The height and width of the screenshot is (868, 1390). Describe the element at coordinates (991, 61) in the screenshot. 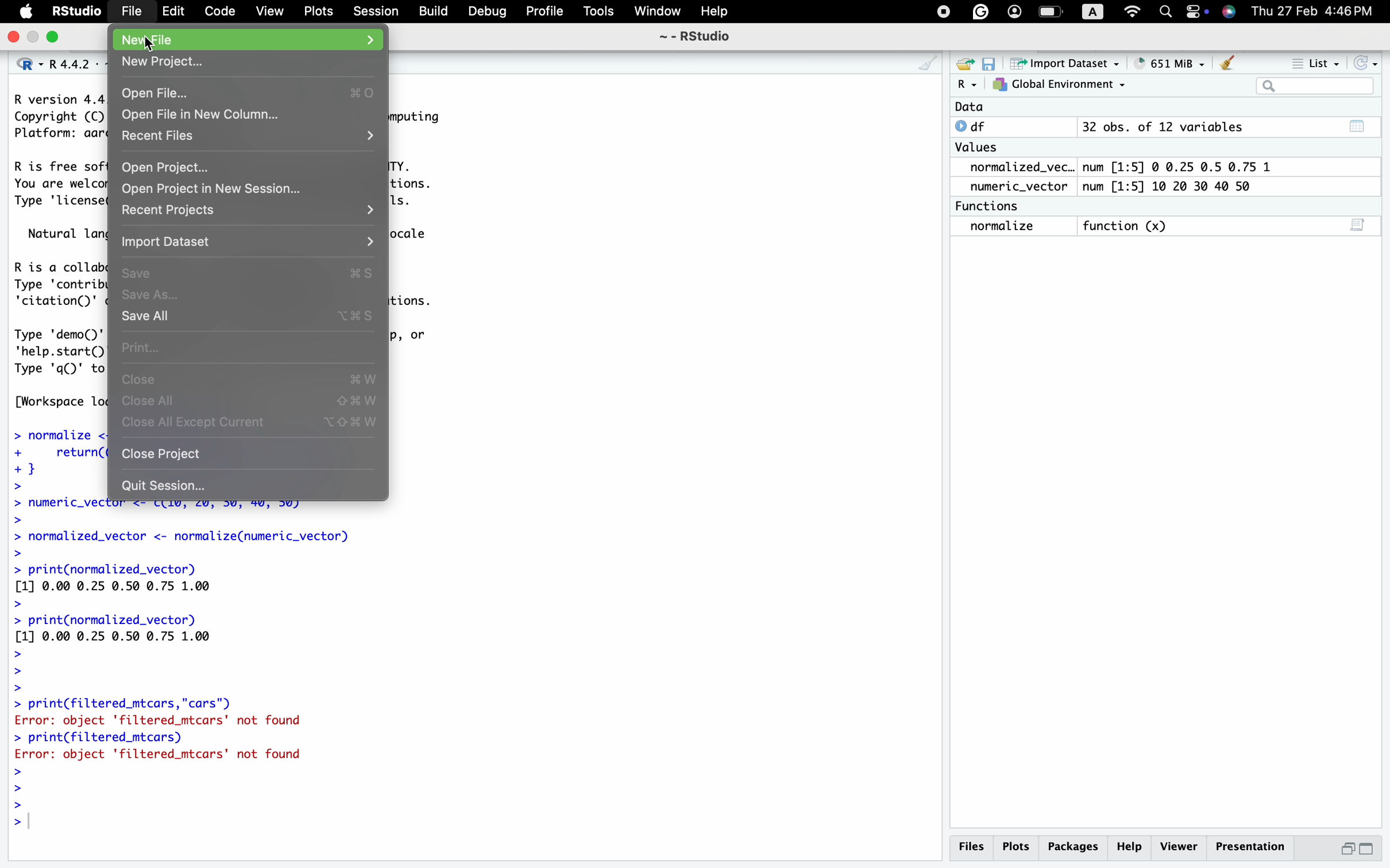

I see `save` at that location.